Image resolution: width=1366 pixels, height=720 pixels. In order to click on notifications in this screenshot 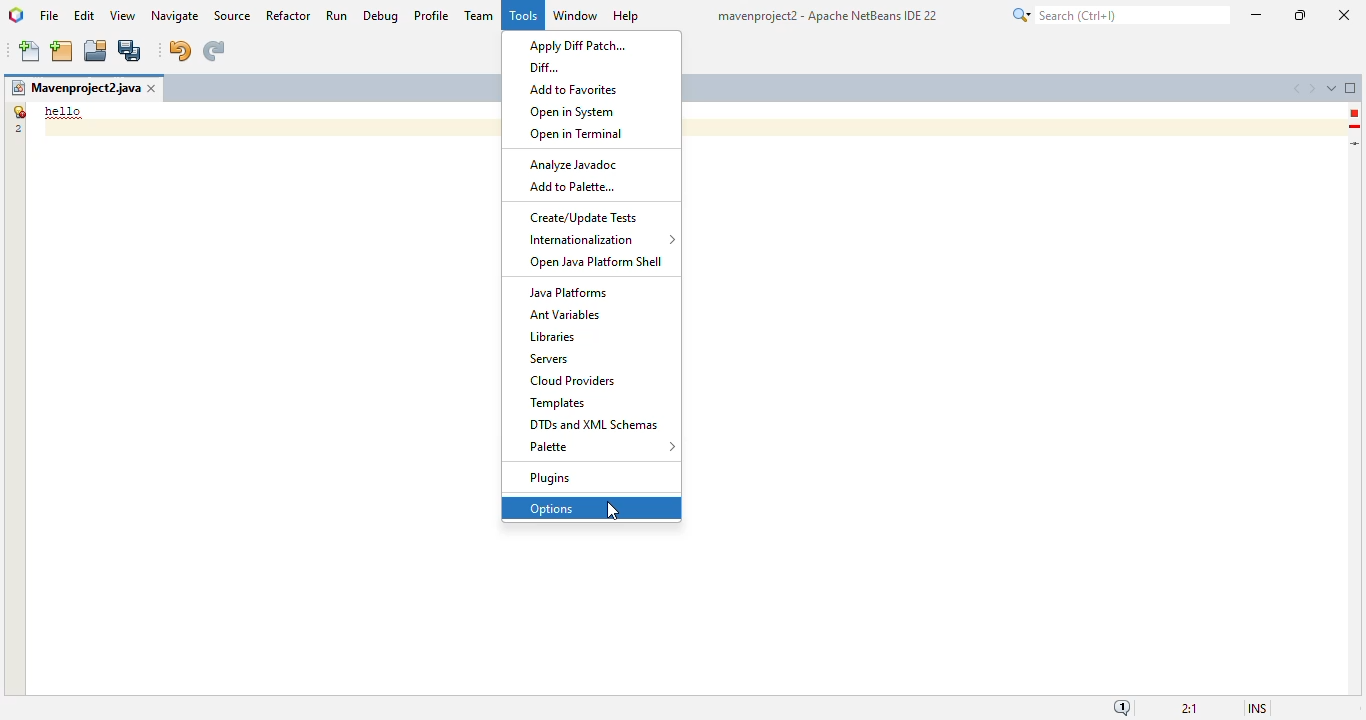, I will do `click(1123, 708)`.